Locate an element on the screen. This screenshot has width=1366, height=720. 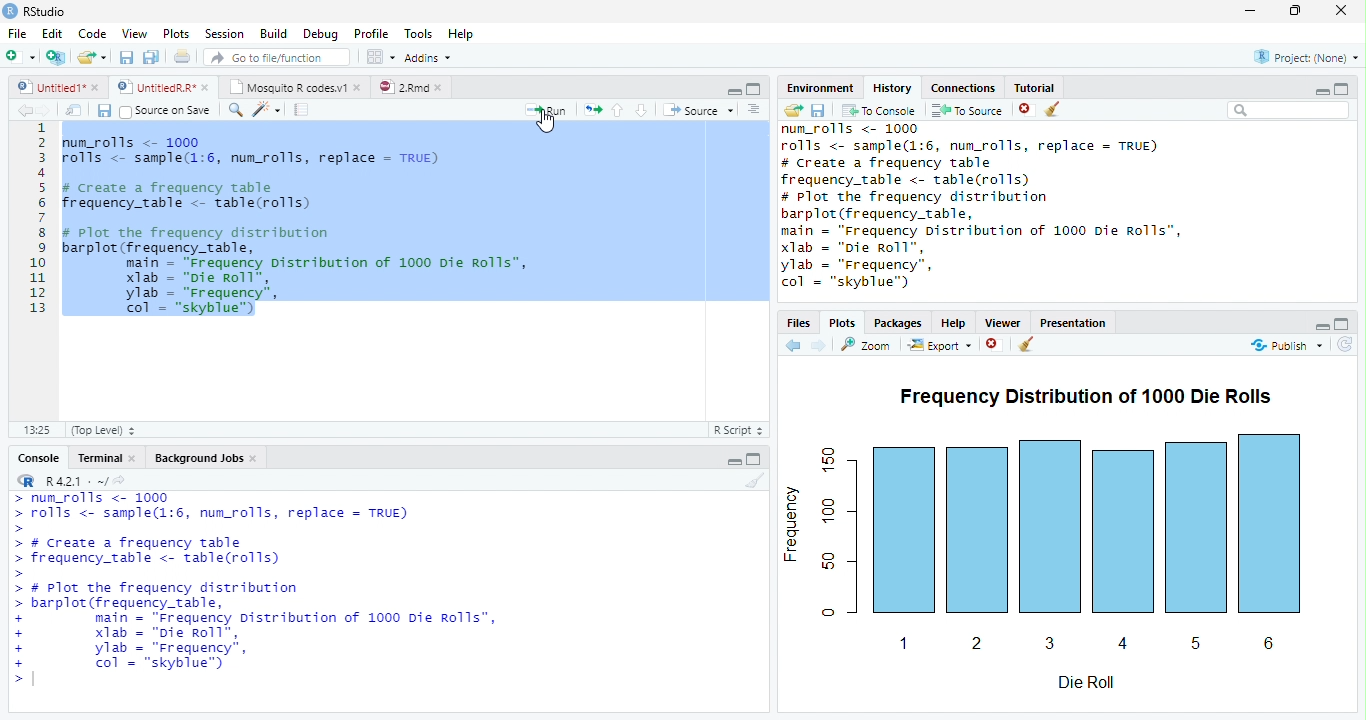
Find/Replace is located at coordinates (233, 110).